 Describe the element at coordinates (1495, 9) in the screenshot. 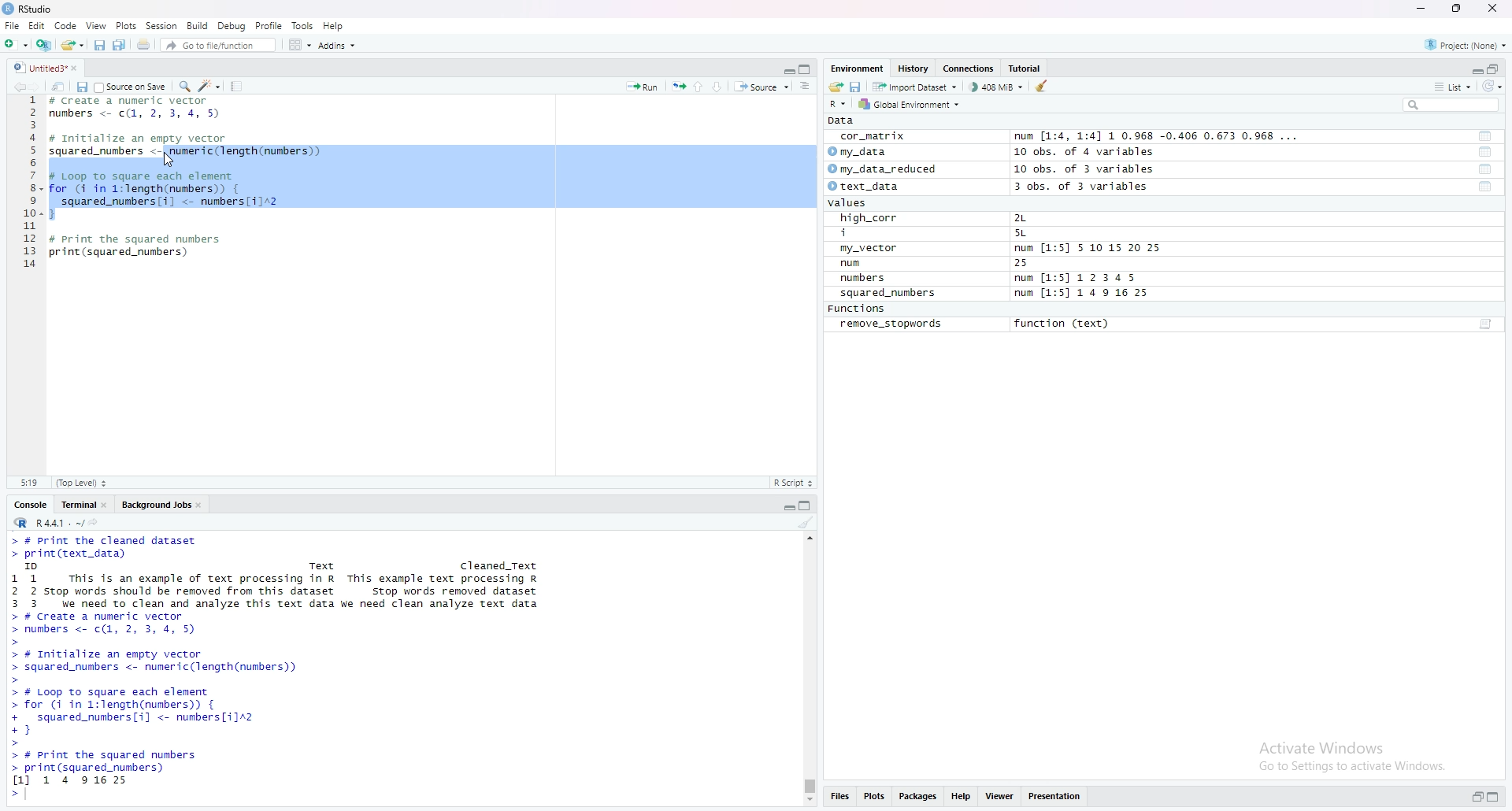

I see `close` at that location.